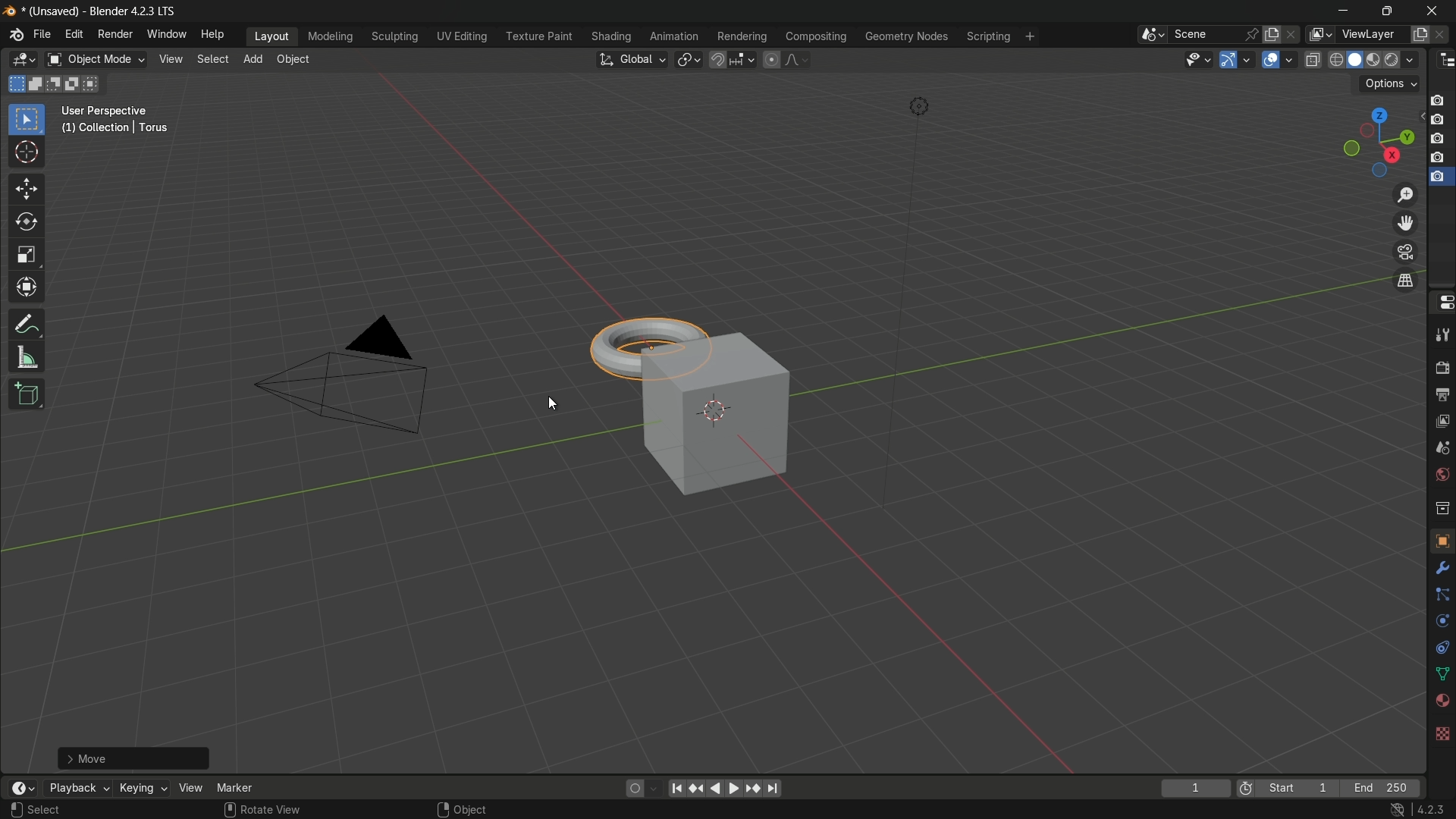 The image size is (1456, 819). What do you see at coordinates (1441, 622) in the screenshot?
I see `physics` at bounding box center [1441, 622].